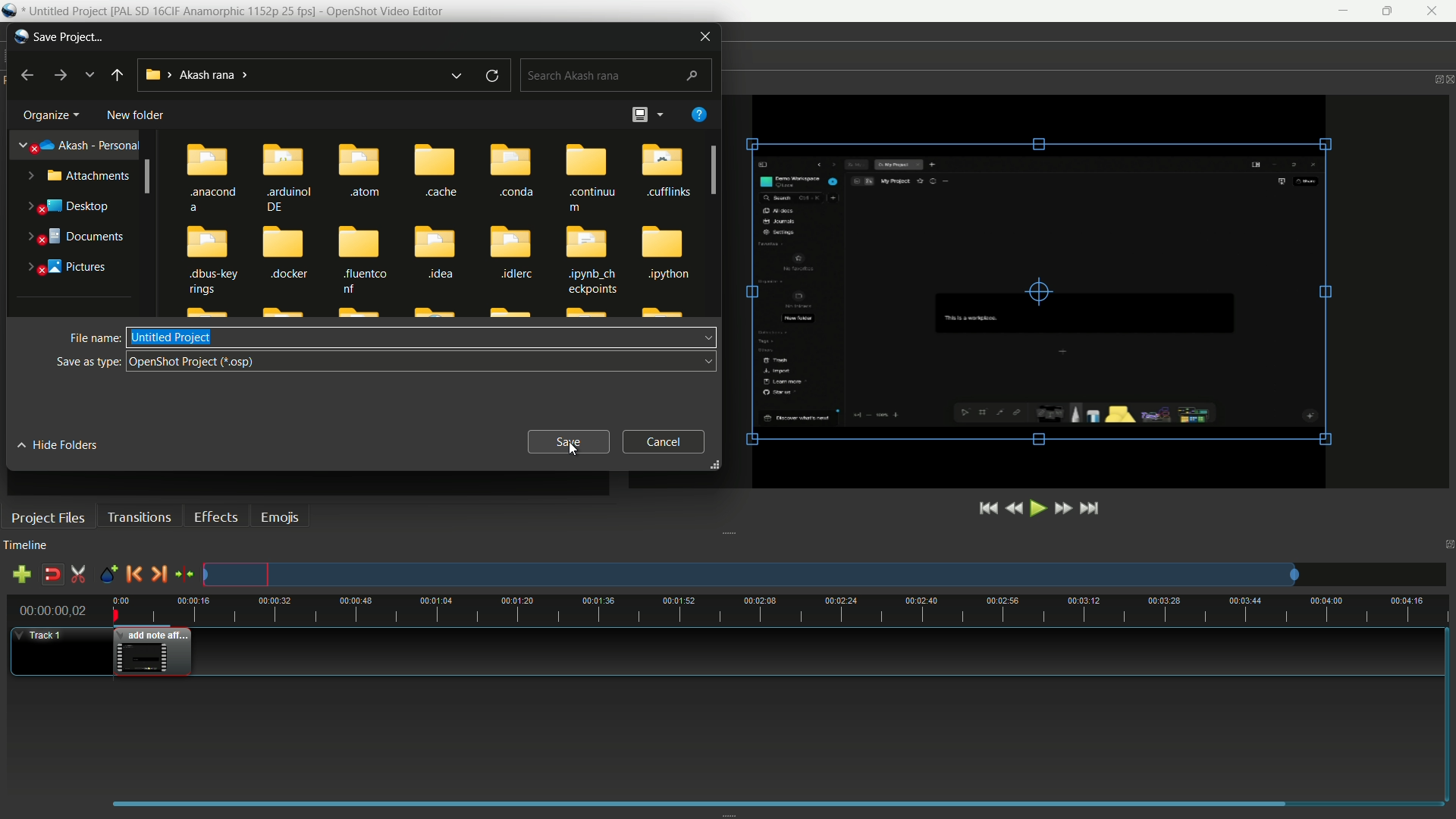 The height and width of the screenshot is (819, 1456). I want to click on .atom, so click(362, 173).